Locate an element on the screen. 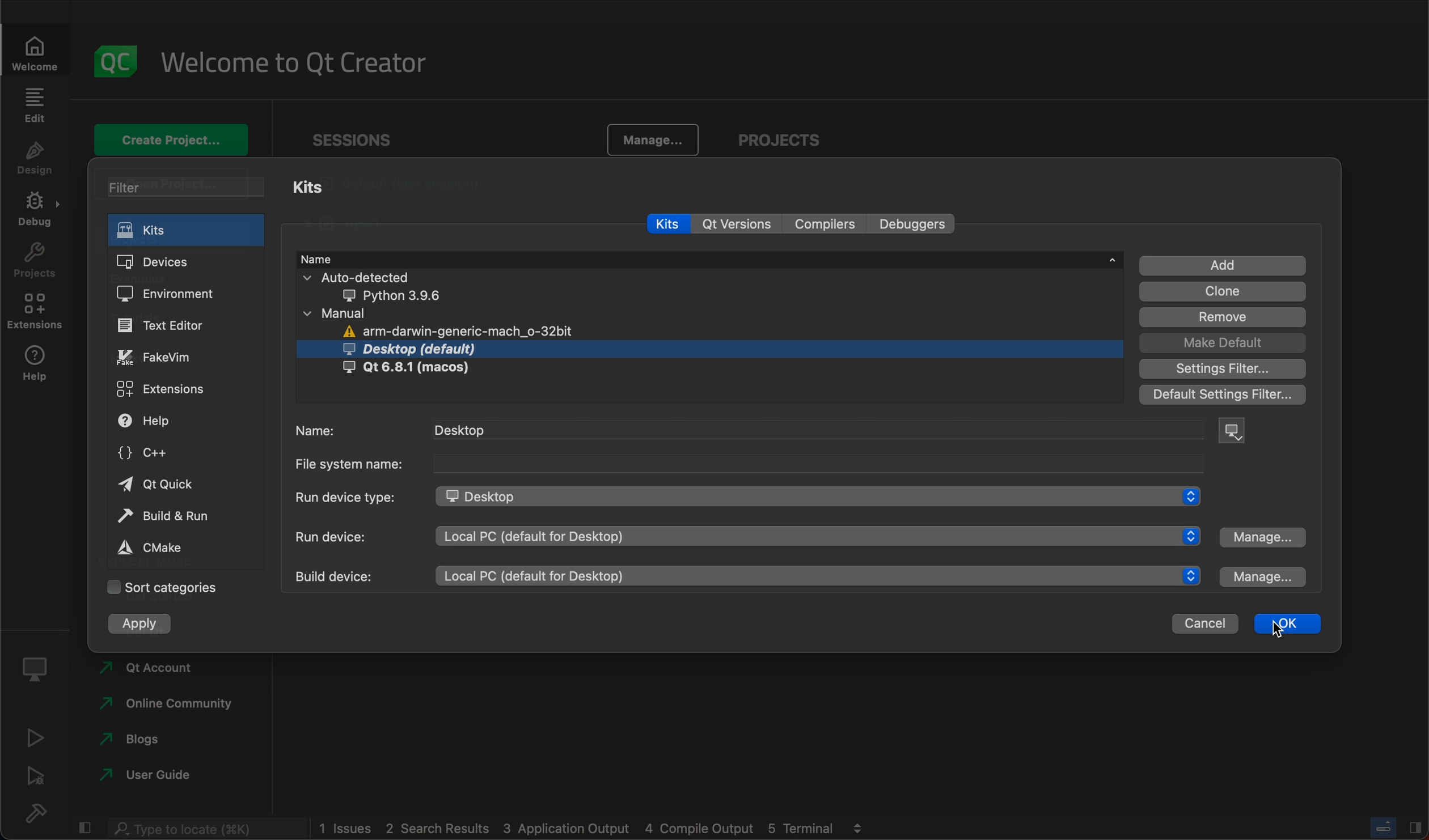 This screenshot has width=1429, height=840. user guide is located at coordinates (157, 776).